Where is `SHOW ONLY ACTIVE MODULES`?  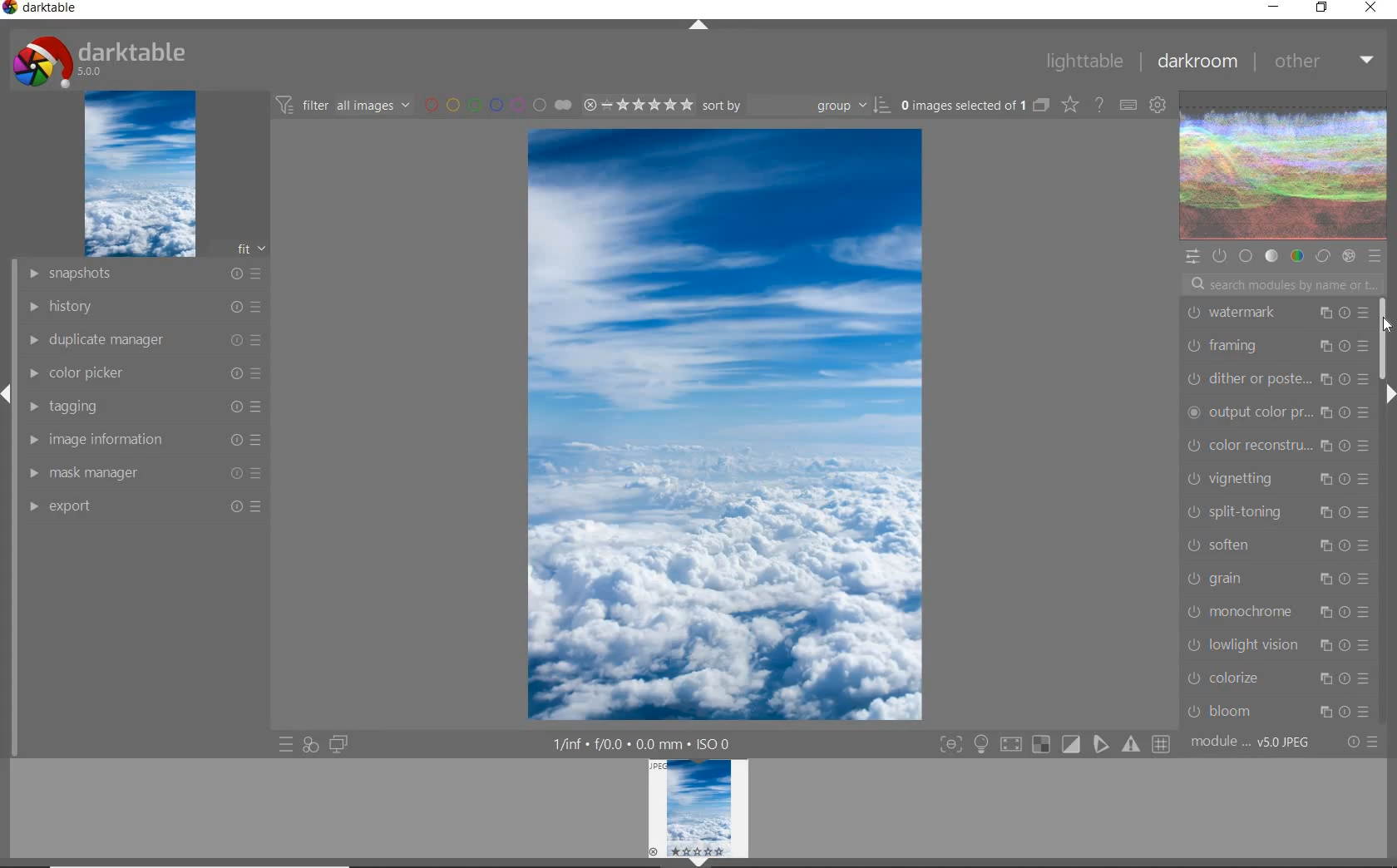
SHOW ONLY ACTIVE MODULES is located at coordinates (1220, 255).